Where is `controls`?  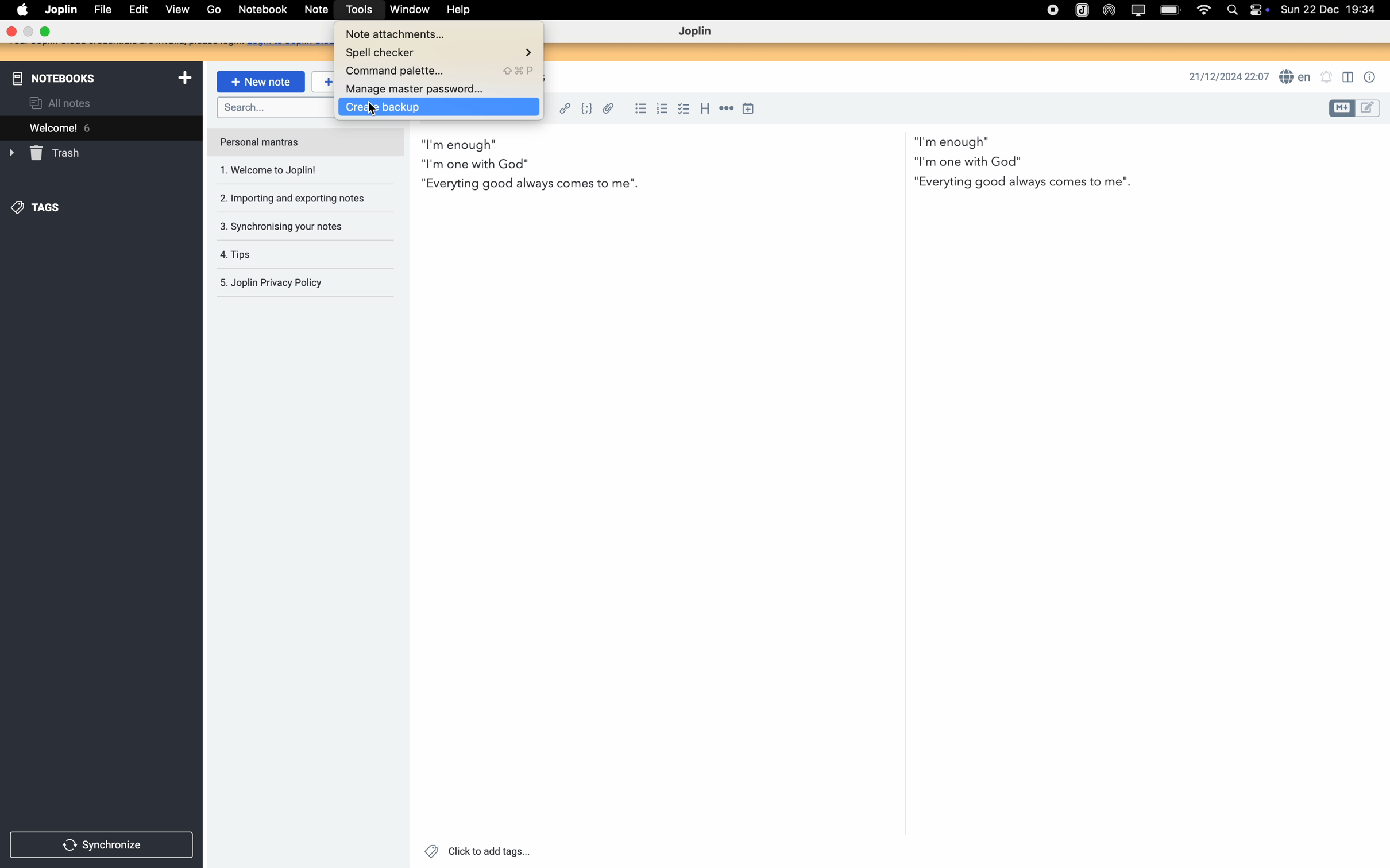 controls is located at coordinates (1260, 10).